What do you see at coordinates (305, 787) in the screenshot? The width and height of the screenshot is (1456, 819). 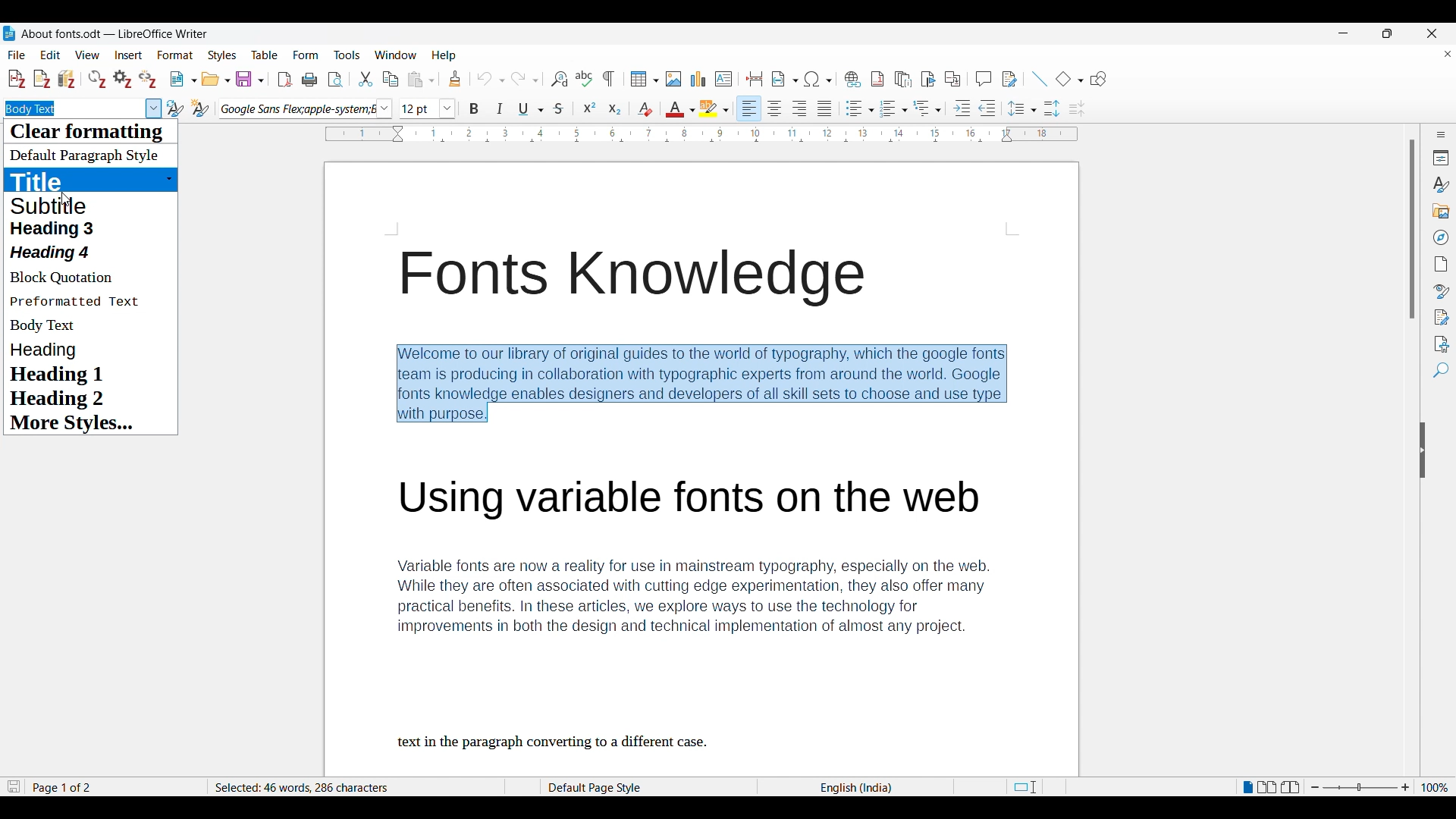 I see `Selected 46 words, 286 characters` at bounding box center [305, 787].